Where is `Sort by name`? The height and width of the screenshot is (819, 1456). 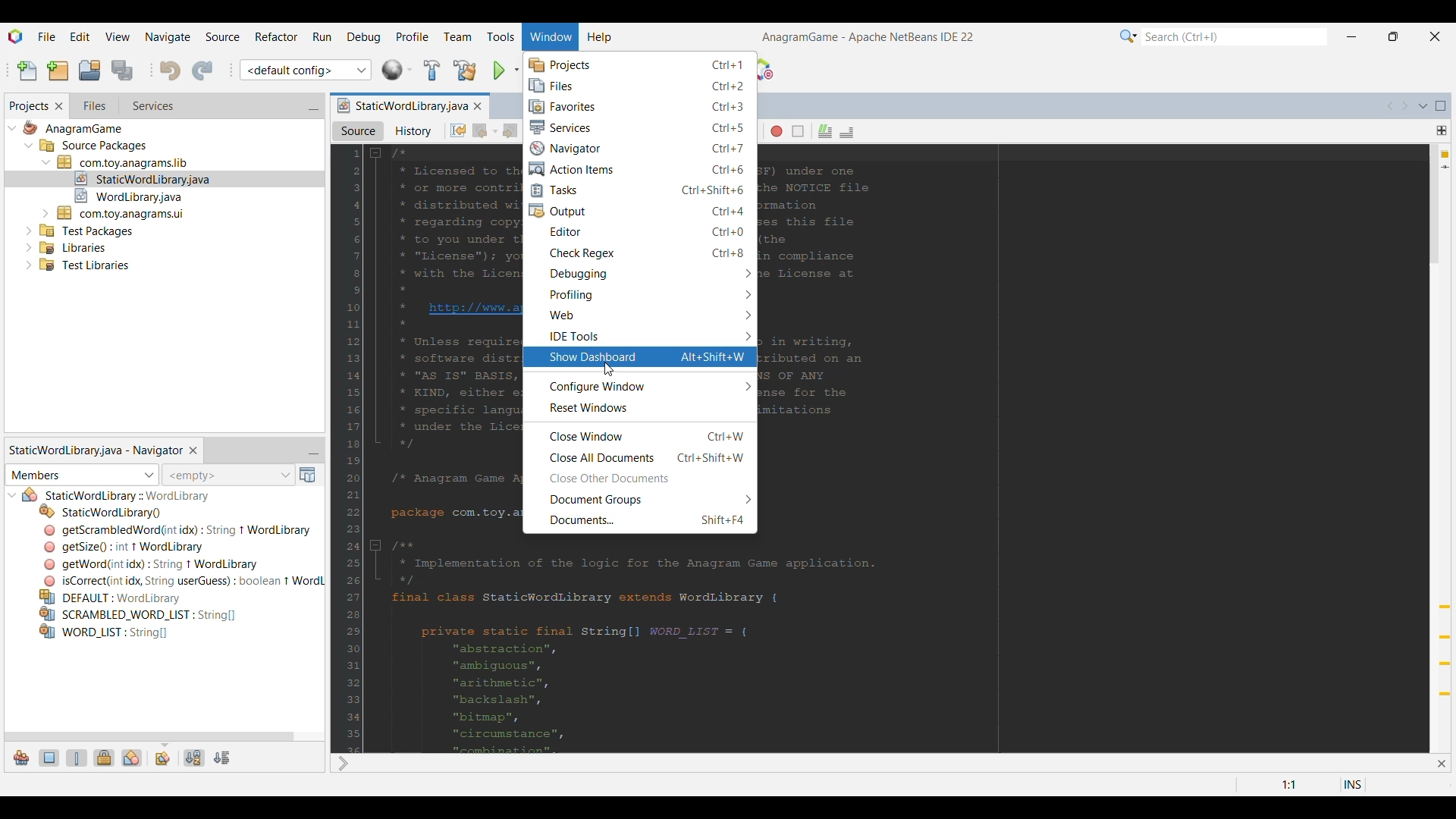
Sort by name is located at coordinates (195, 758).